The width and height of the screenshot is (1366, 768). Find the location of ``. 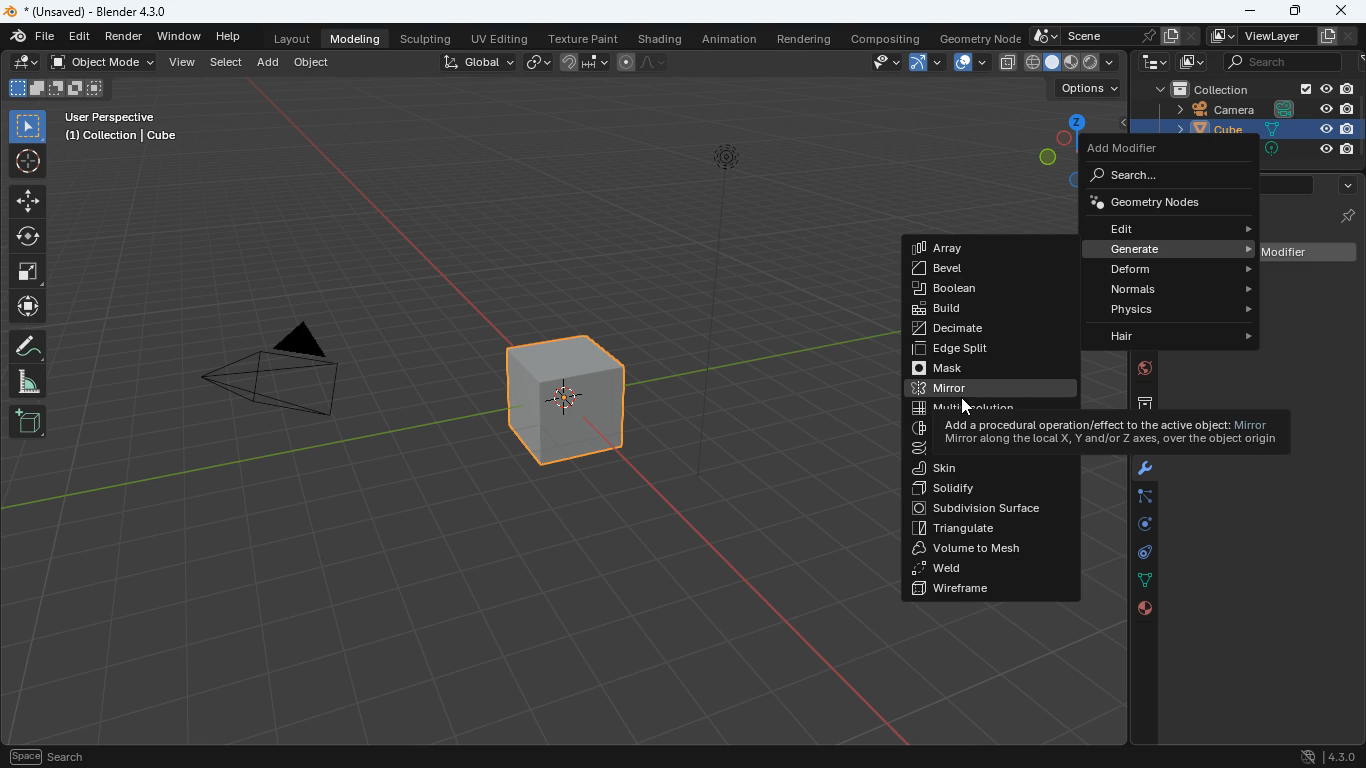

 is located at coordinates (1306, 89).